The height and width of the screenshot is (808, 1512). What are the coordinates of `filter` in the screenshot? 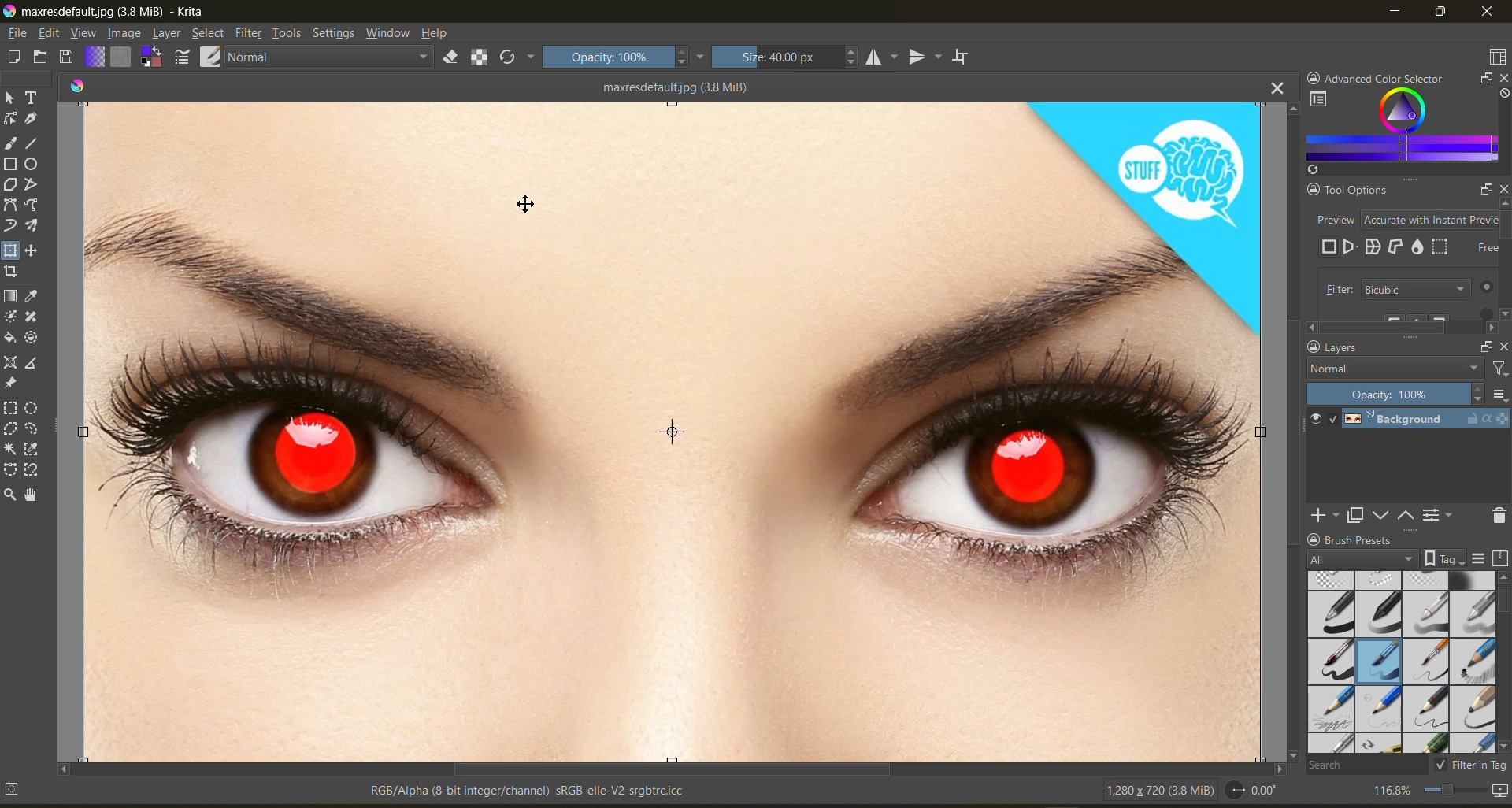 It's located at (1498, 369).